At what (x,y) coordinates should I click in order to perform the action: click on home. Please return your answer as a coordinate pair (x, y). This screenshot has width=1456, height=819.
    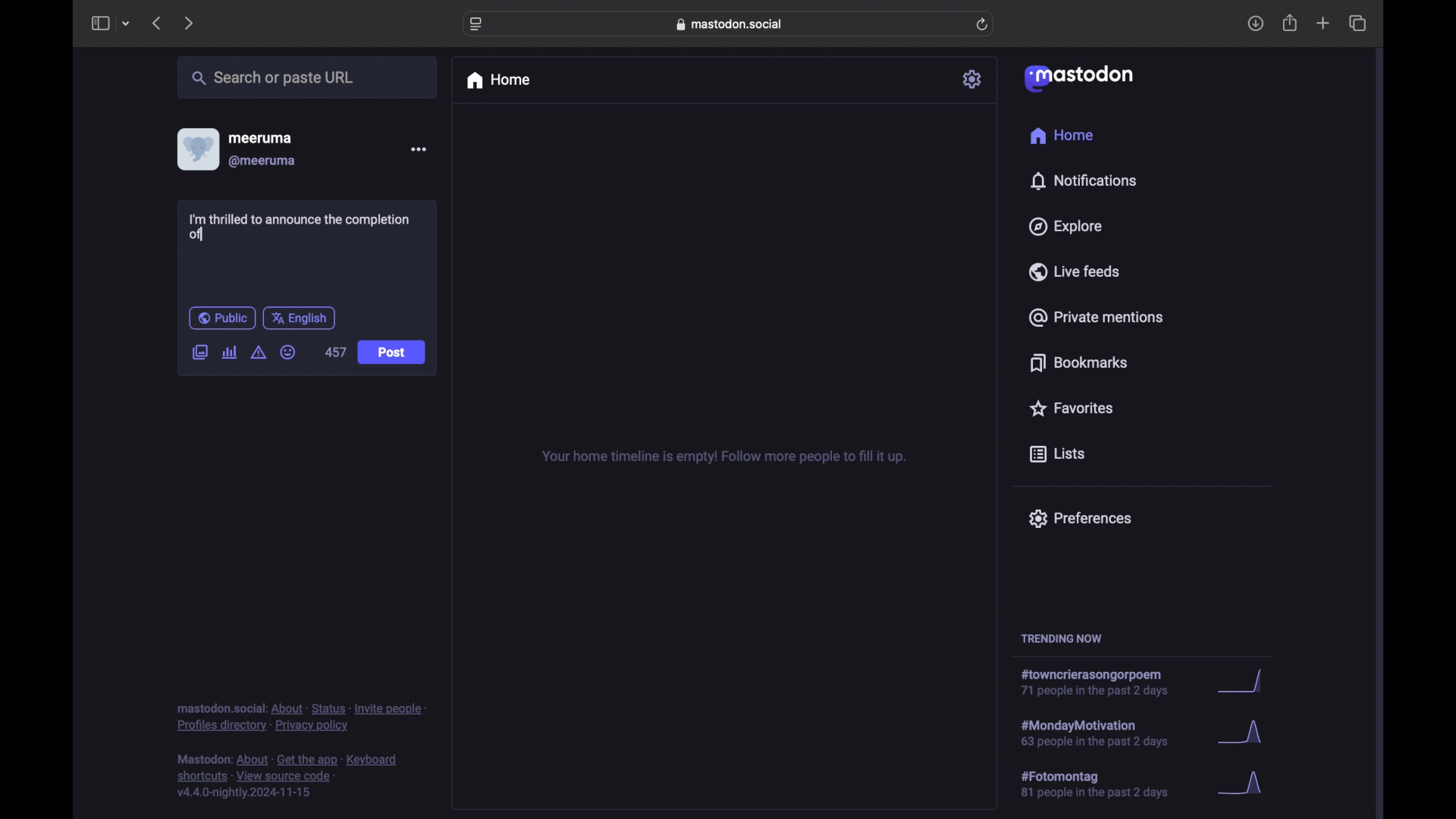
    Looking at the image, I should click on (497, 80).